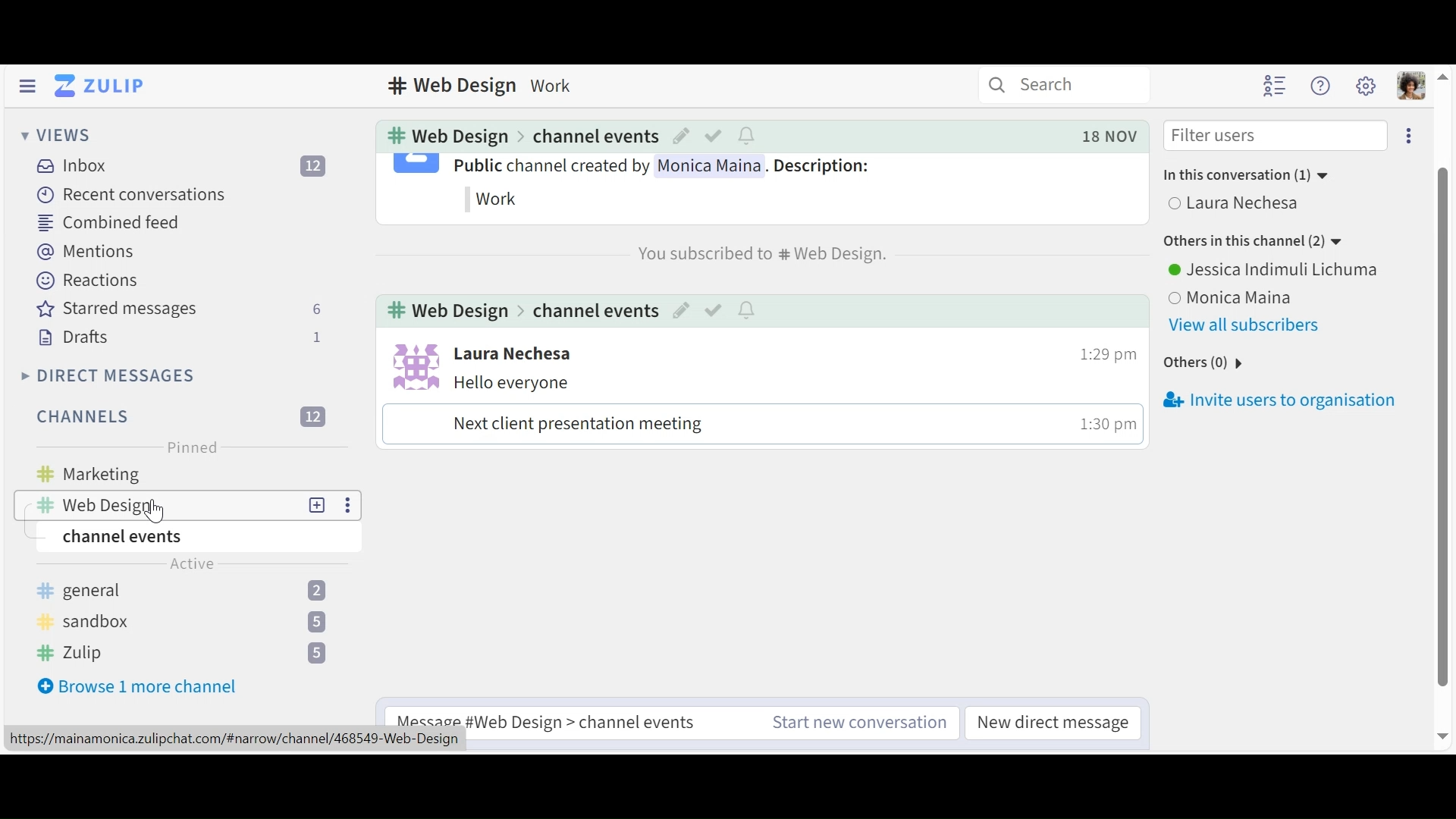 The image size is (1456, 819). I want to click on notifications, so click(747, 137).